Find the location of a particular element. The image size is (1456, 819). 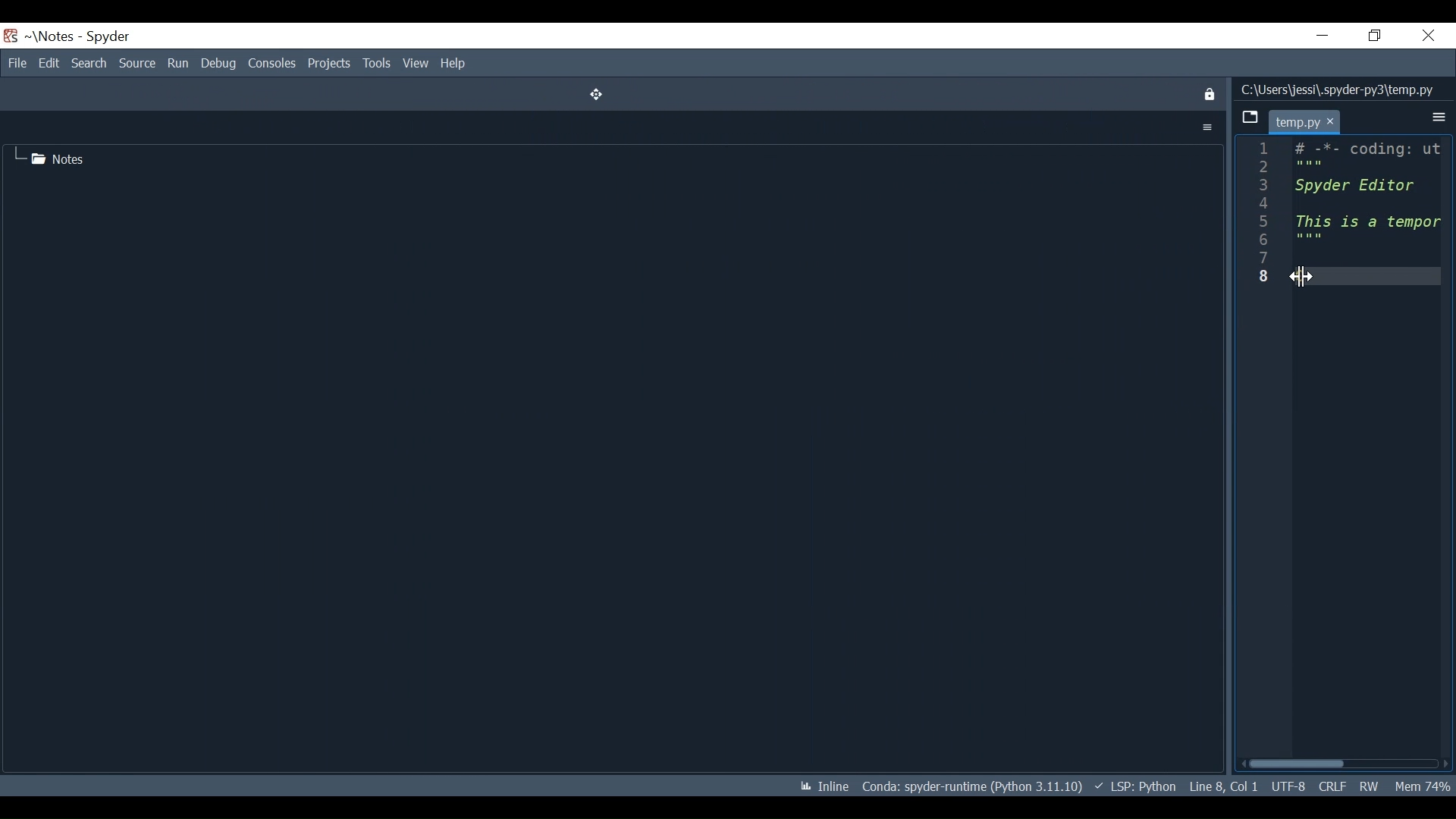

line number is located at coordinates (1265, 215).